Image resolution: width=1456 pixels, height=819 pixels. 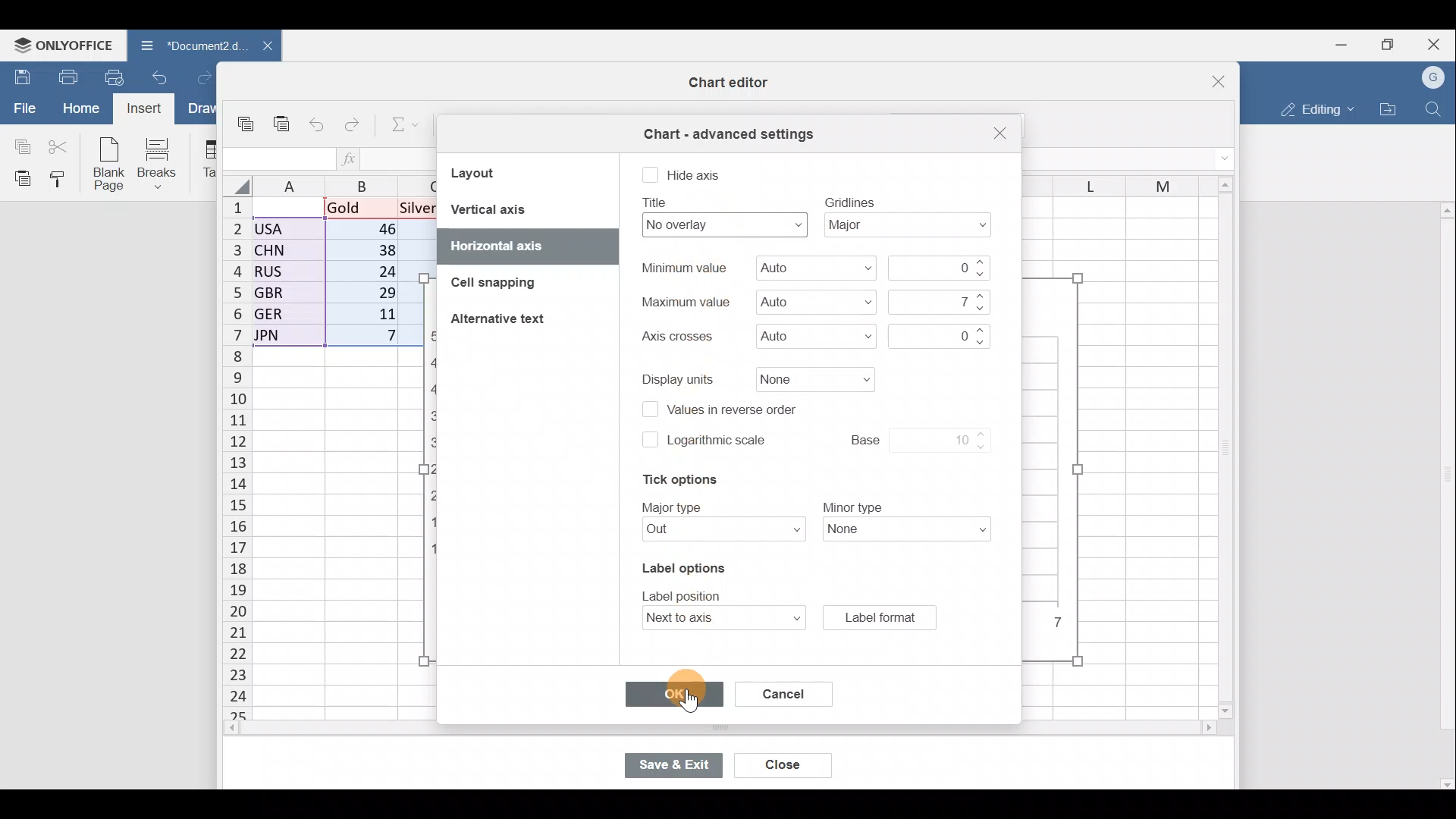 What do you see at coordinates (720, 224) in the screenshot?
I see `Title` at bounding box center [720, 224].